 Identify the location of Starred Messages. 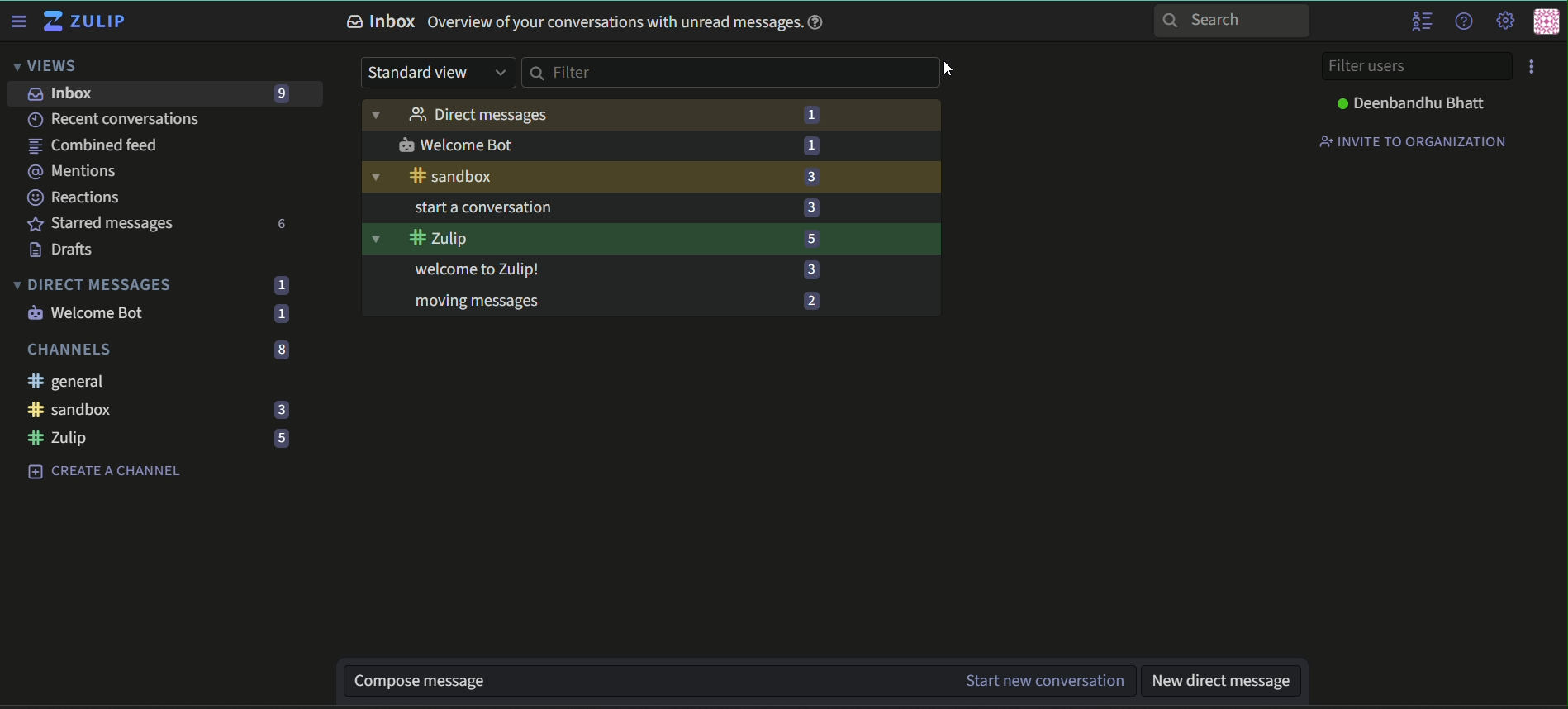
(100, 224).